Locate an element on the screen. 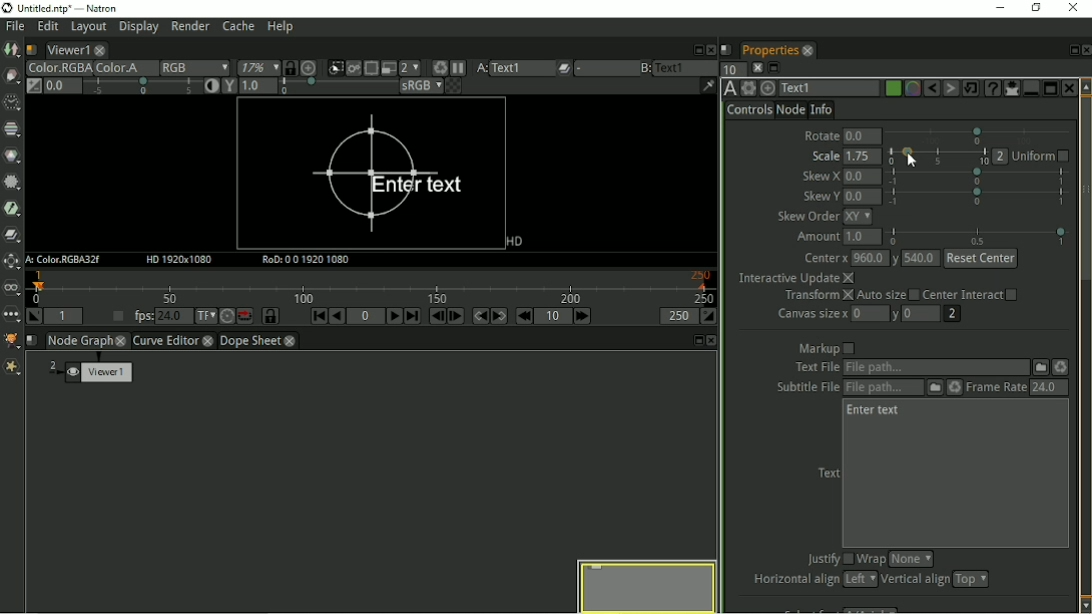 The image size is (1092, 614). Minimize is located at coordinates (999, 8).